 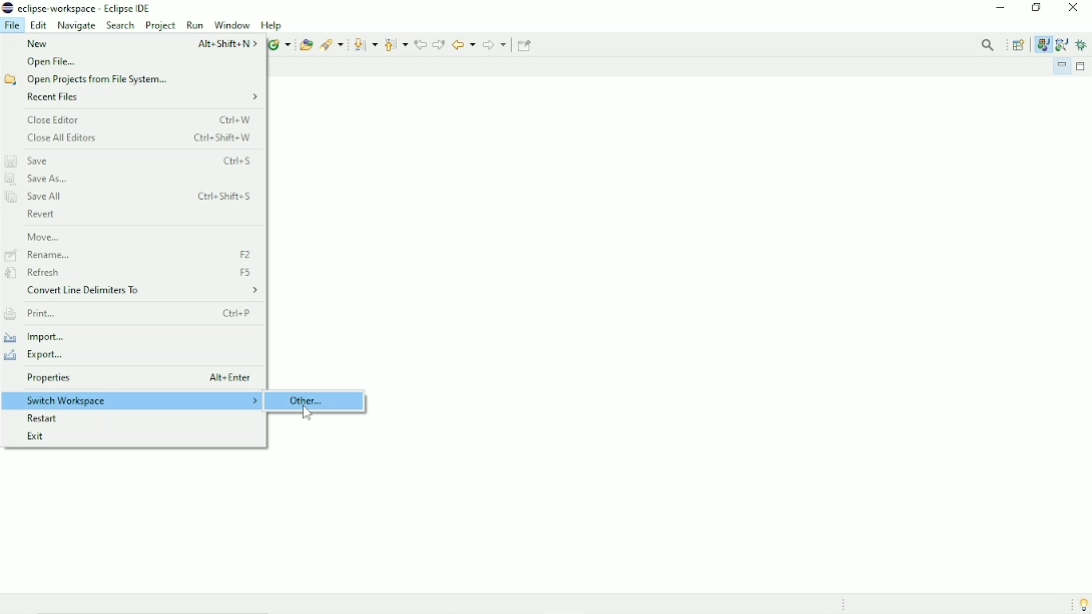 What do you see at coordinates (44, 336) in the screenshot?
I see `Import` at bounding box center [44, 336].